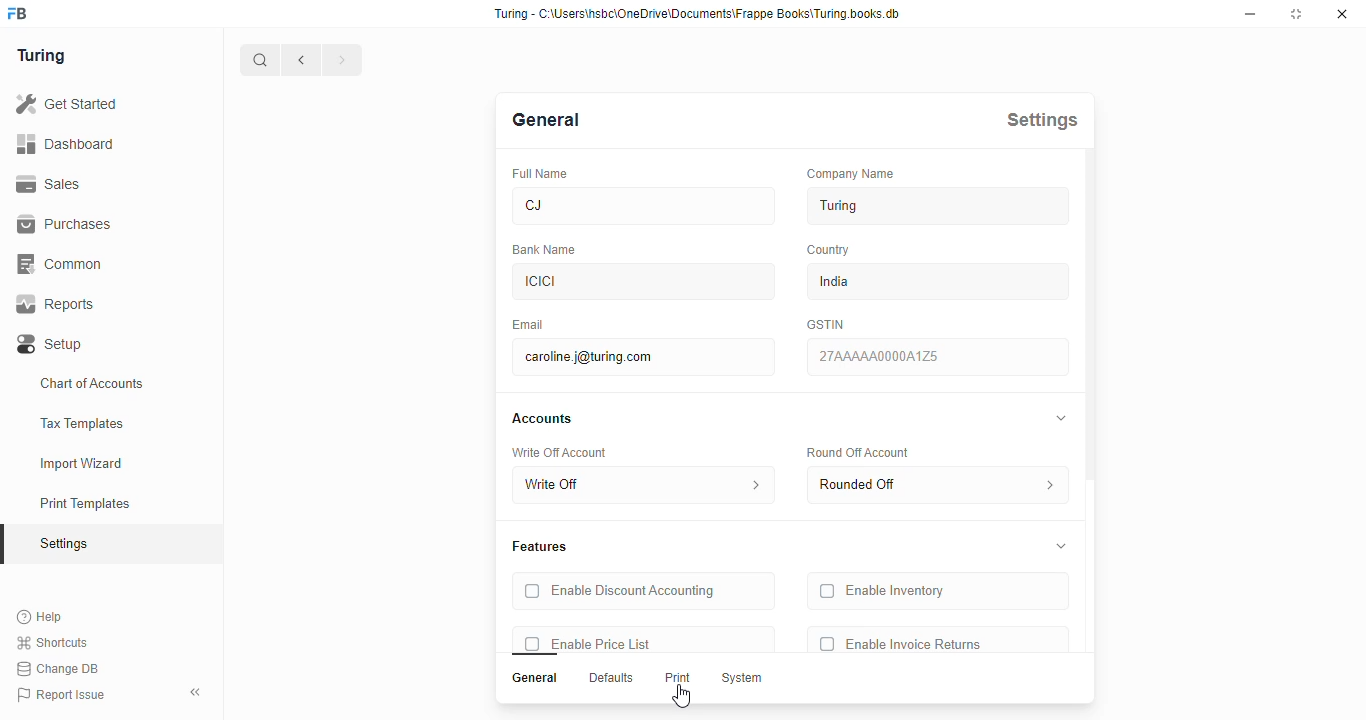 The height and width of the screenshot is (720, 1366). I want to click on import wizard, so click(82, 464).